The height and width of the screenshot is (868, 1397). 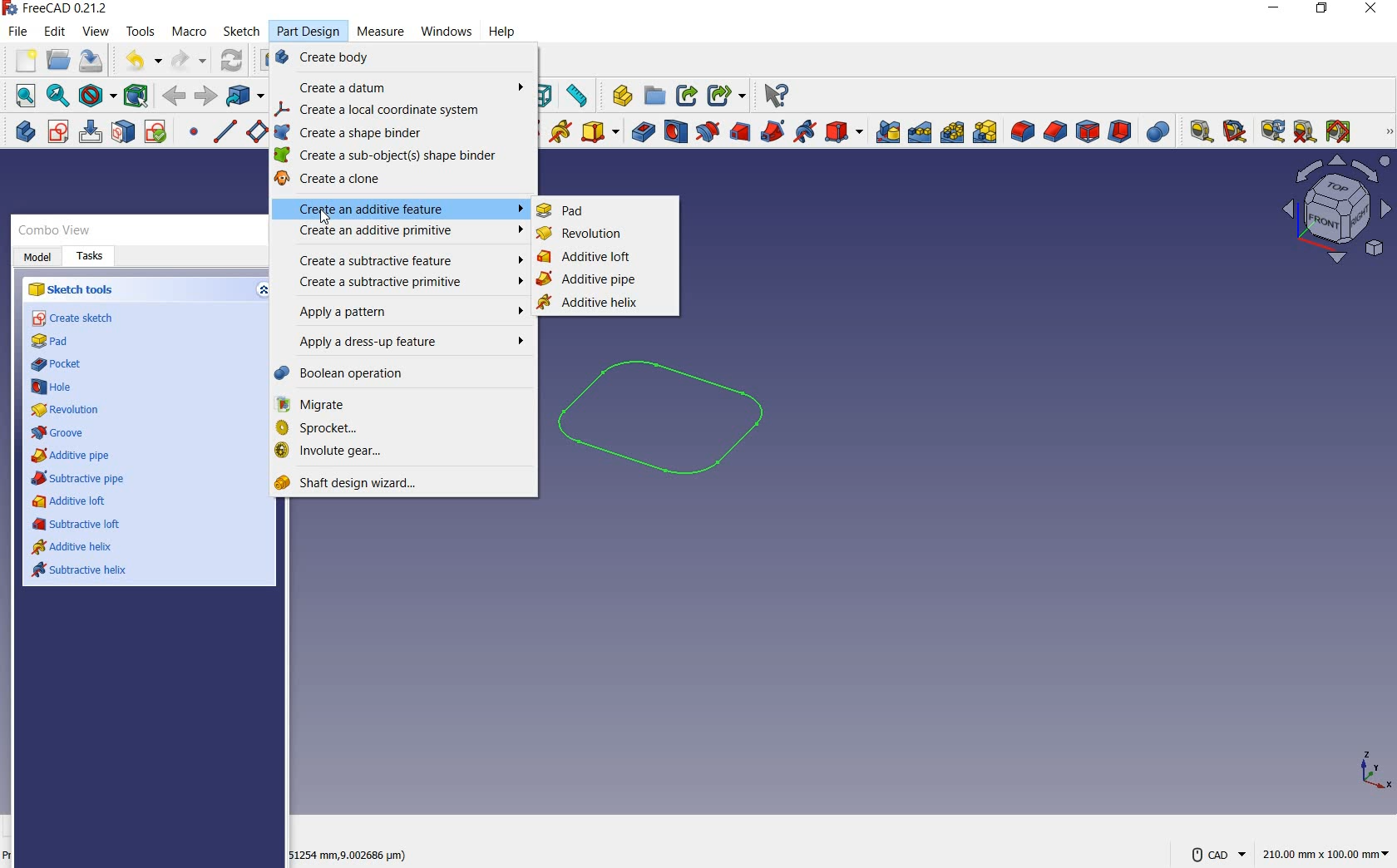 I want to click on undo, so click(x=142, y=61).